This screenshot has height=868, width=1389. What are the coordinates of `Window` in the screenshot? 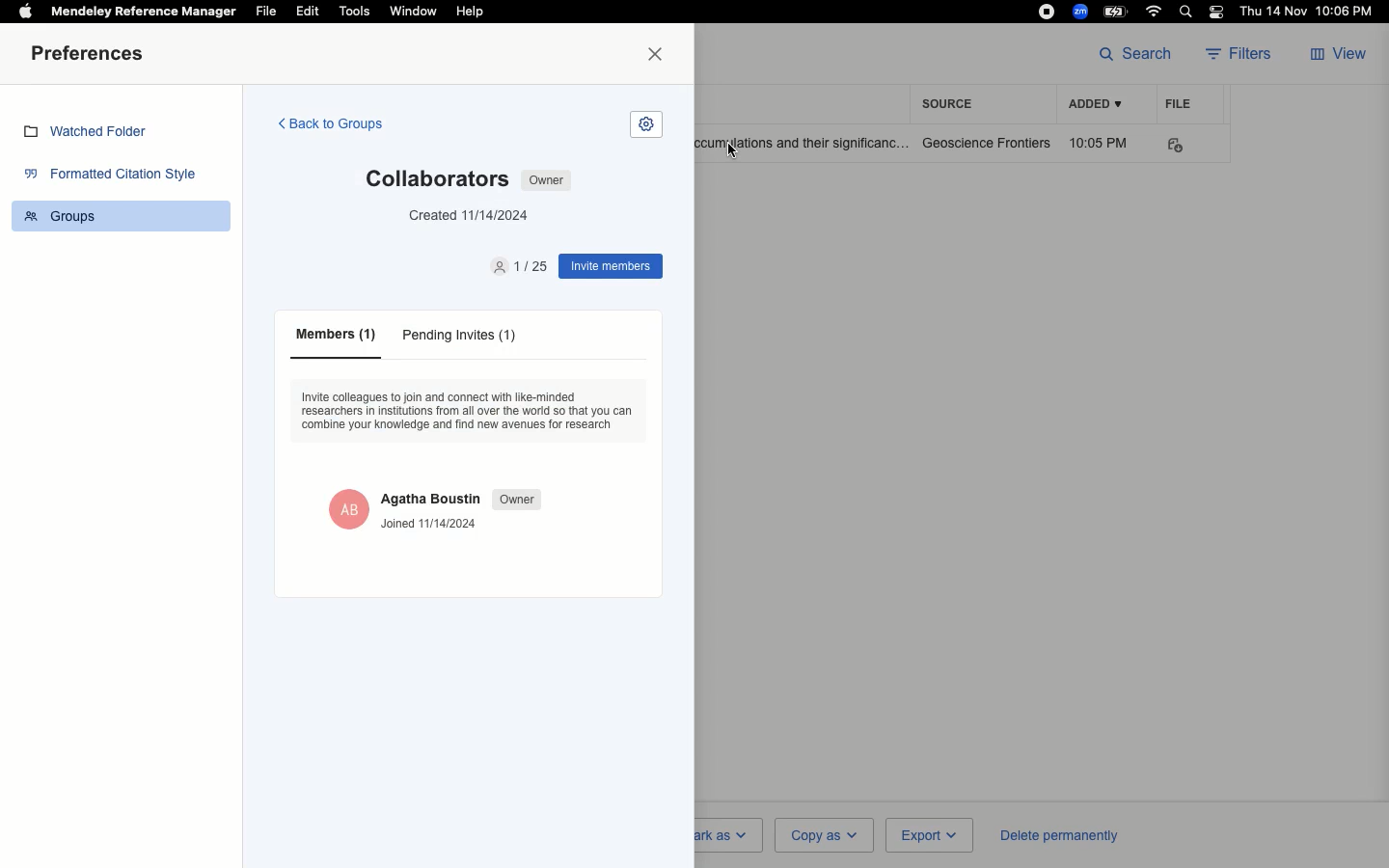 It's located at (412, 12).